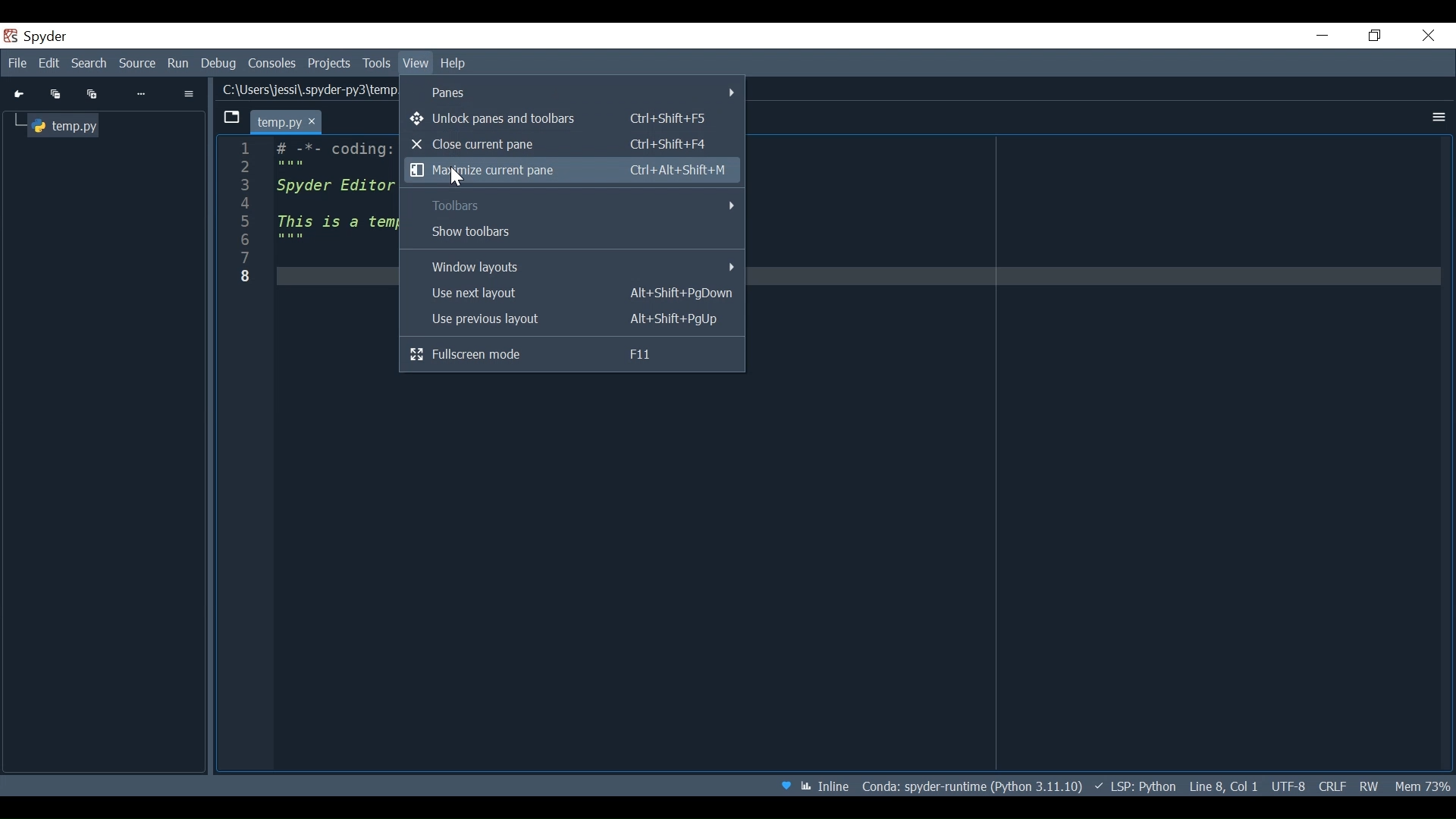 This screenshot has width=1456, height=819. What do you see at coordinates (971, 786) in the screenshot?
I see `Conda: spyder-runtime (Python 3.11.10)` at bounding box center [971, 786].